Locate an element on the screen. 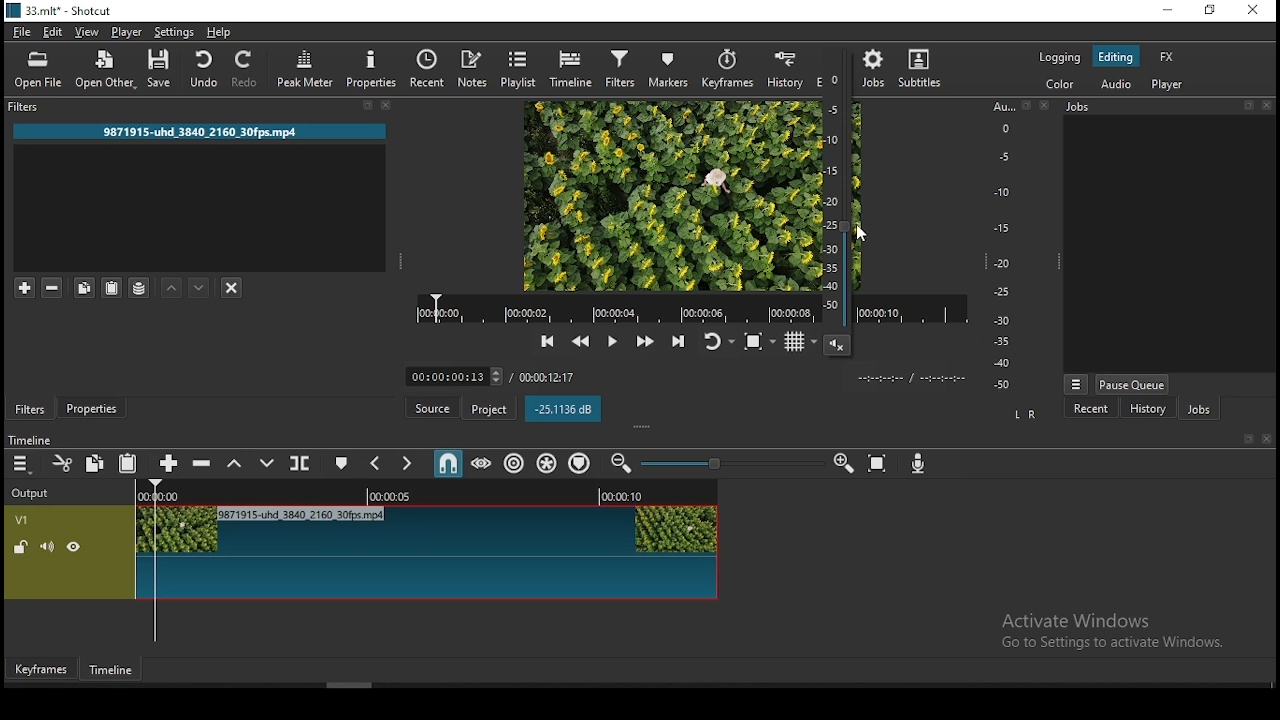 This screenshot has height=720, width=1280. scrub while dragging is located at coordinates (482, 464).